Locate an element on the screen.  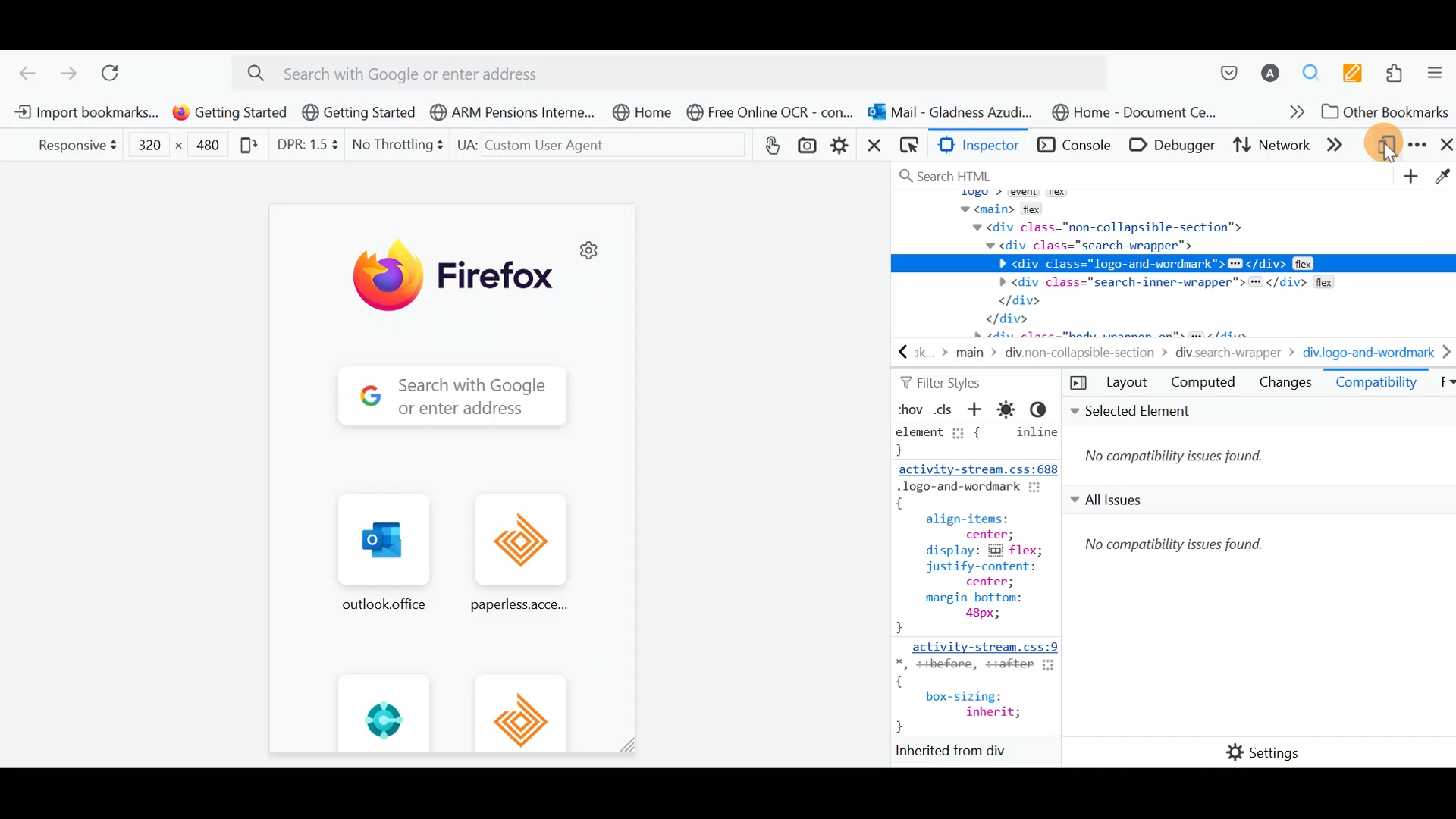
Computed is located at coordinates (1203, 385).